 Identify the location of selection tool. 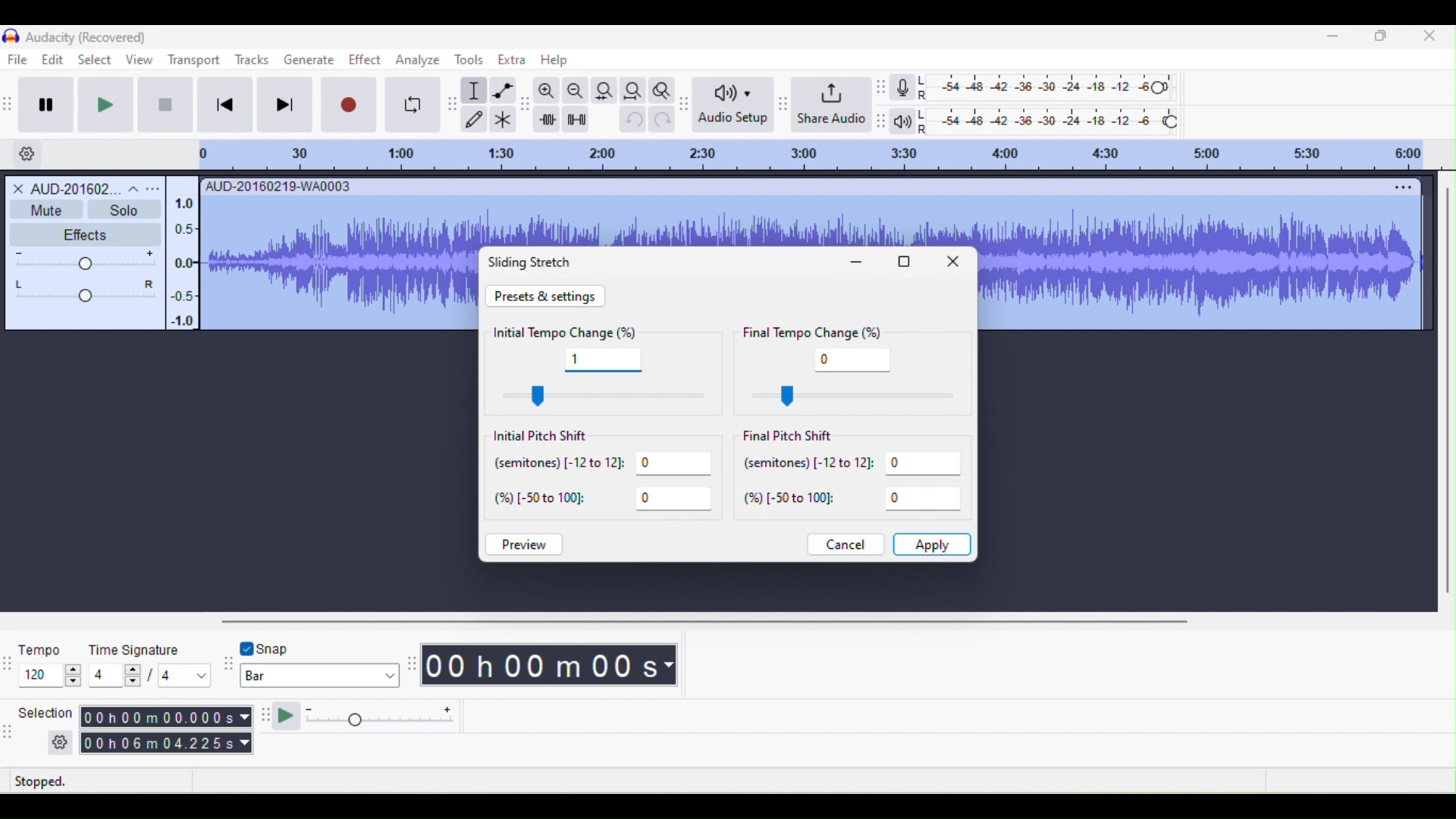
(475, 91).